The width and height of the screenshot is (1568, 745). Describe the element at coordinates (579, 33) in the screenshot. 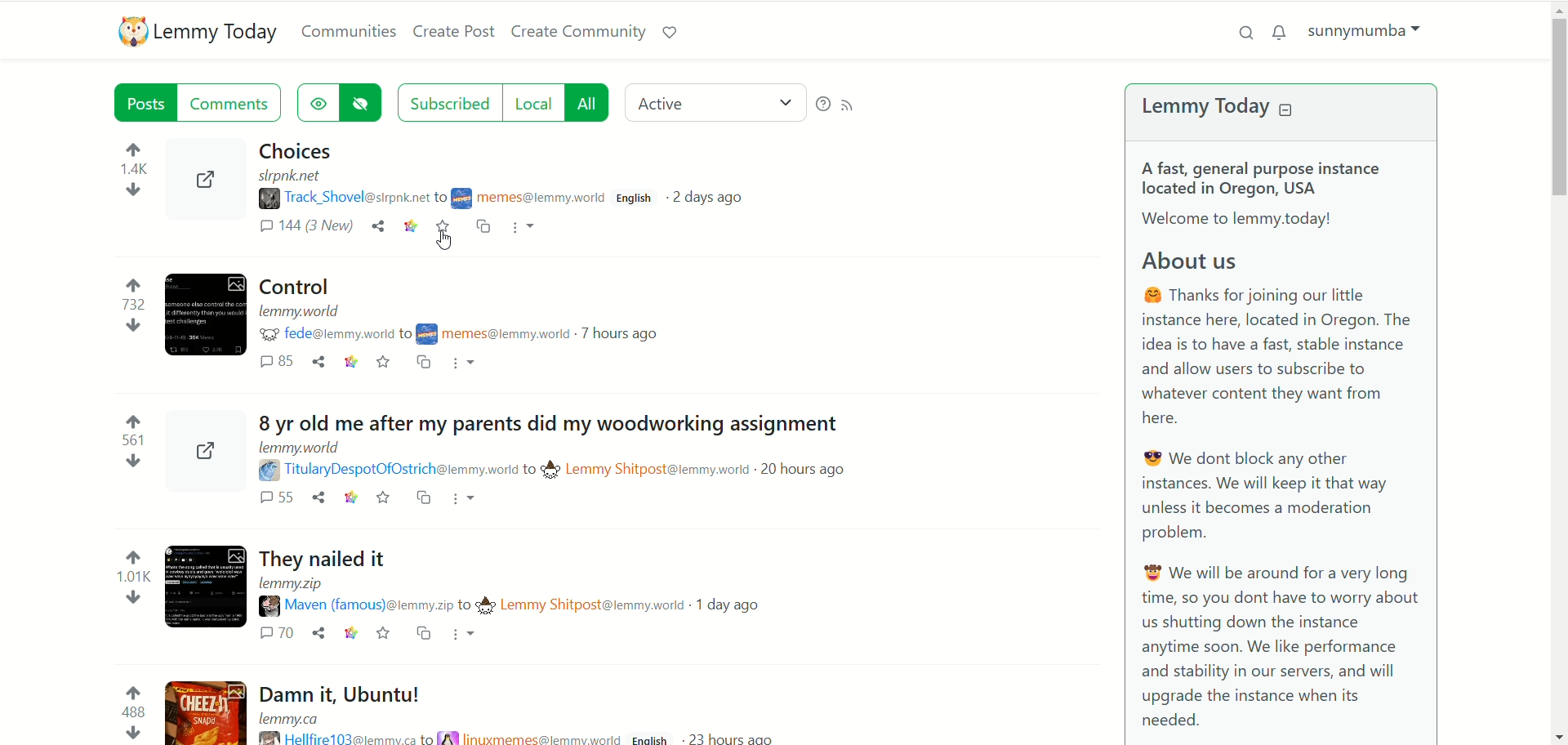

I see `create community` at that location.